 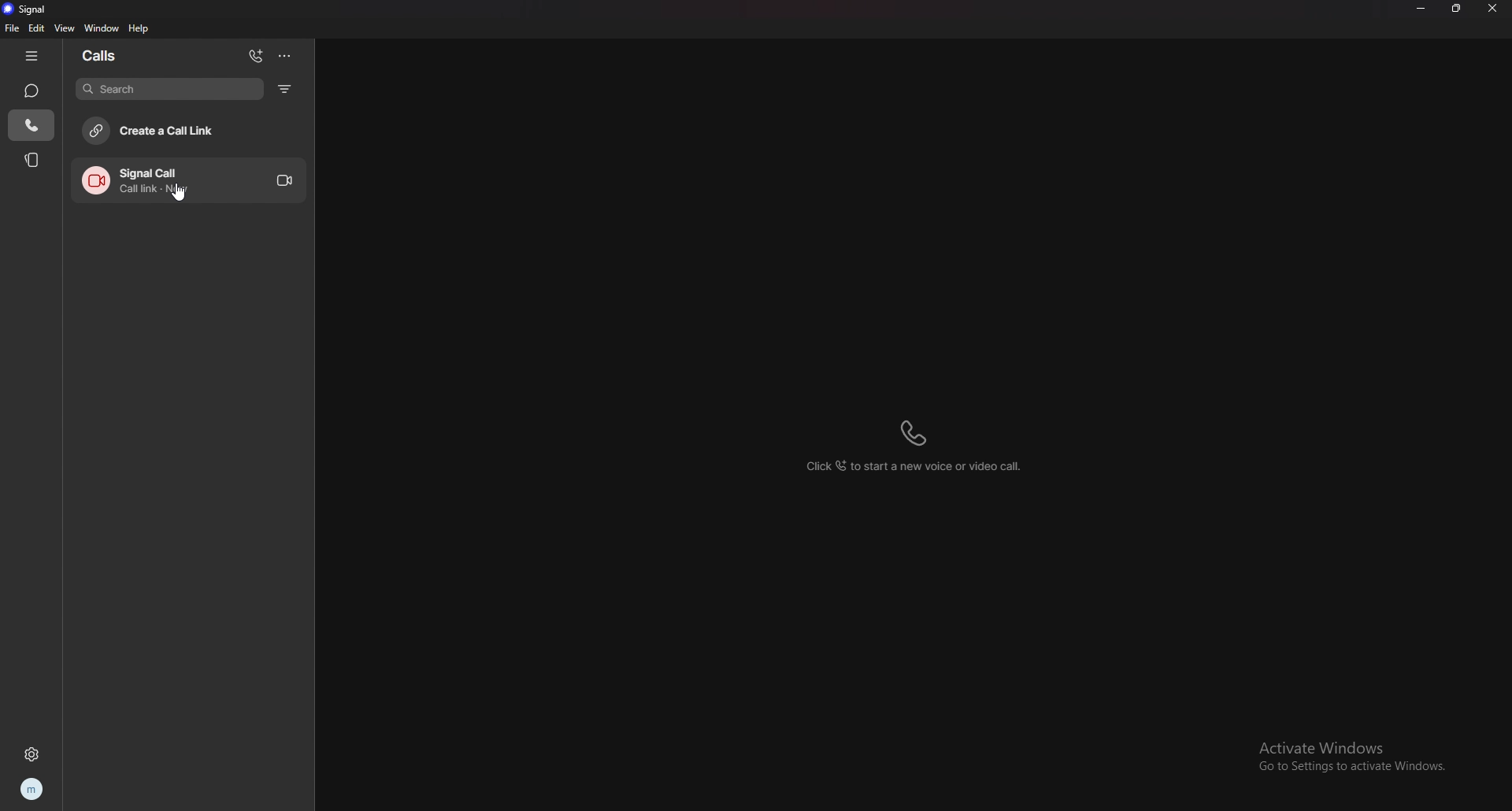 I want to click on search, so click(x=171, y=89).